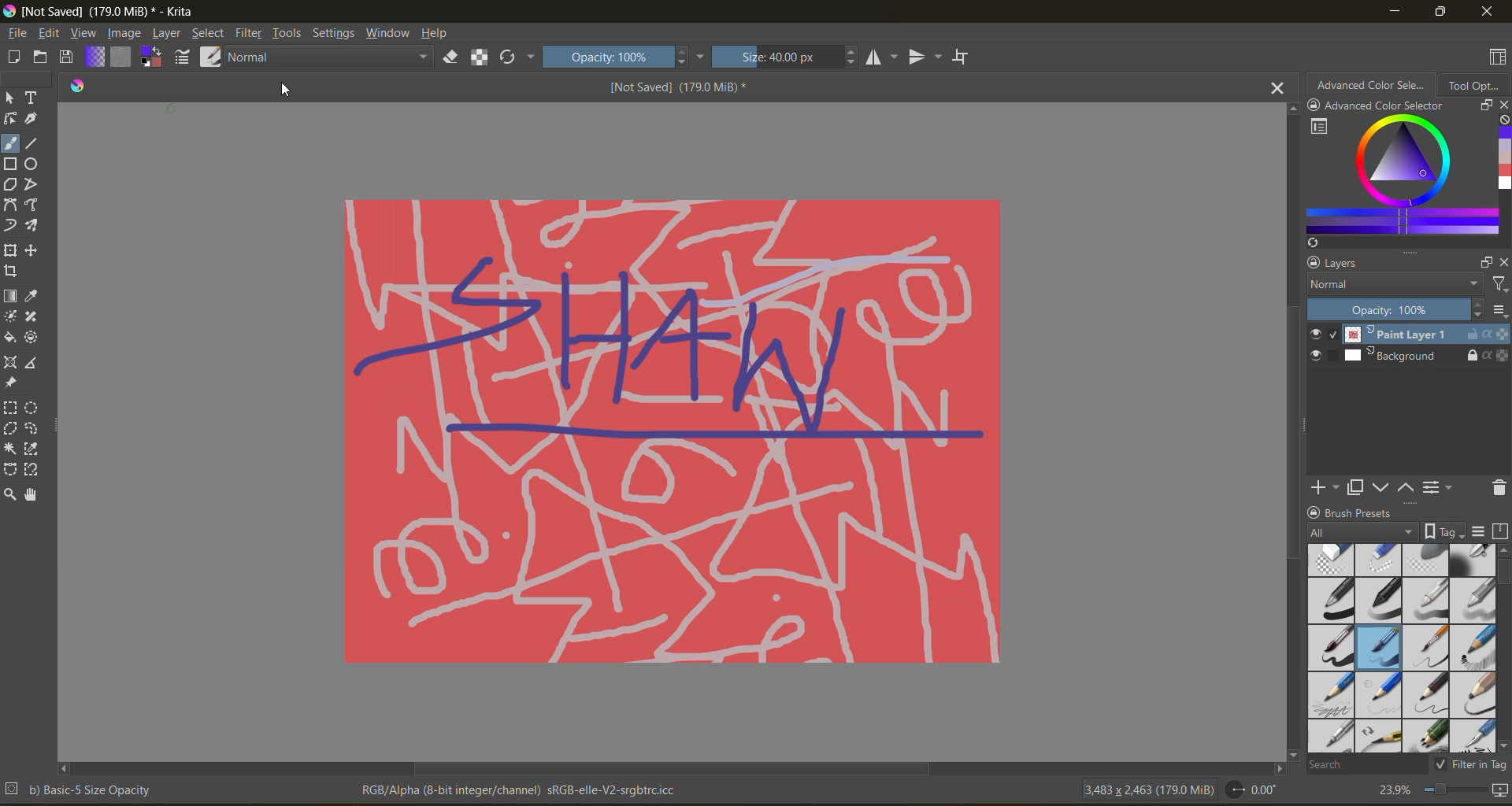 This screenshot has width=1512, height=806. Describe the element at coordinates (32, 318) in the screenshot. I see `smart patch tool` at that location.